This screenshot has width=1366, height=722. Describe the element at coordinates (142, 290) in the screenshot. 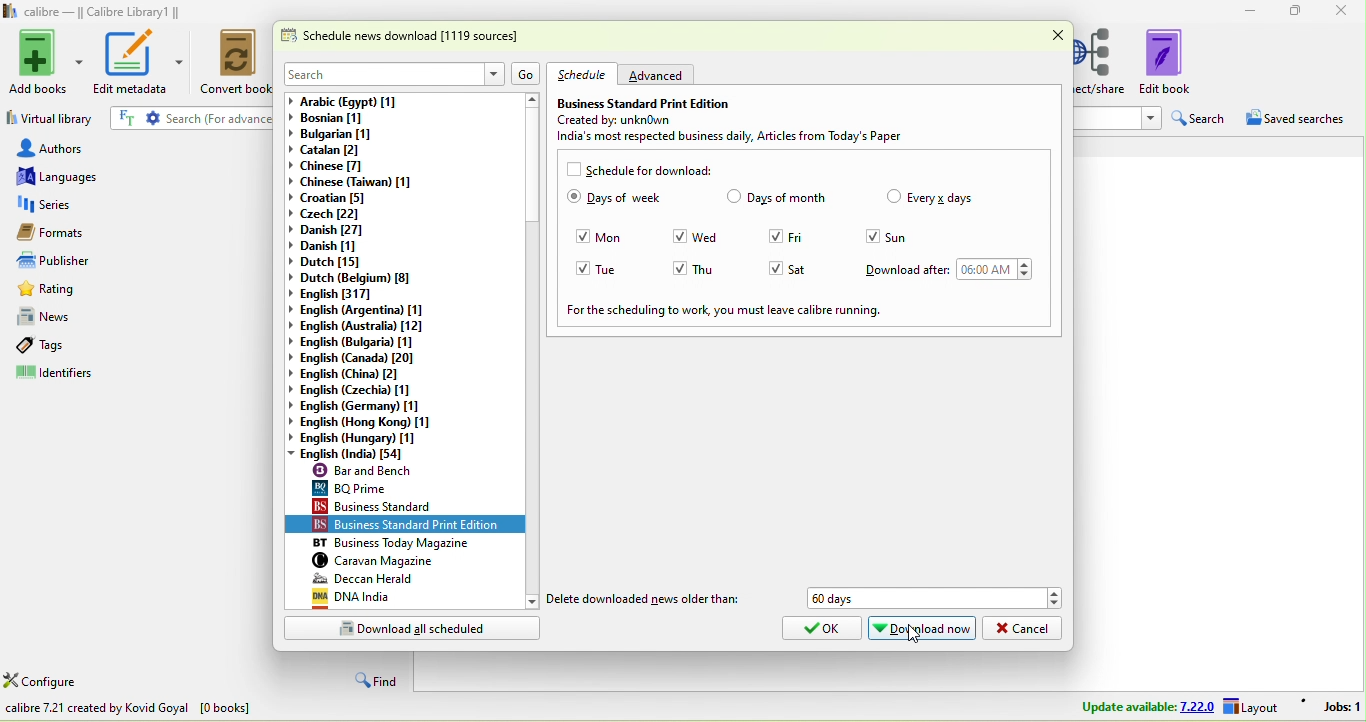

I see `rating` at that location.